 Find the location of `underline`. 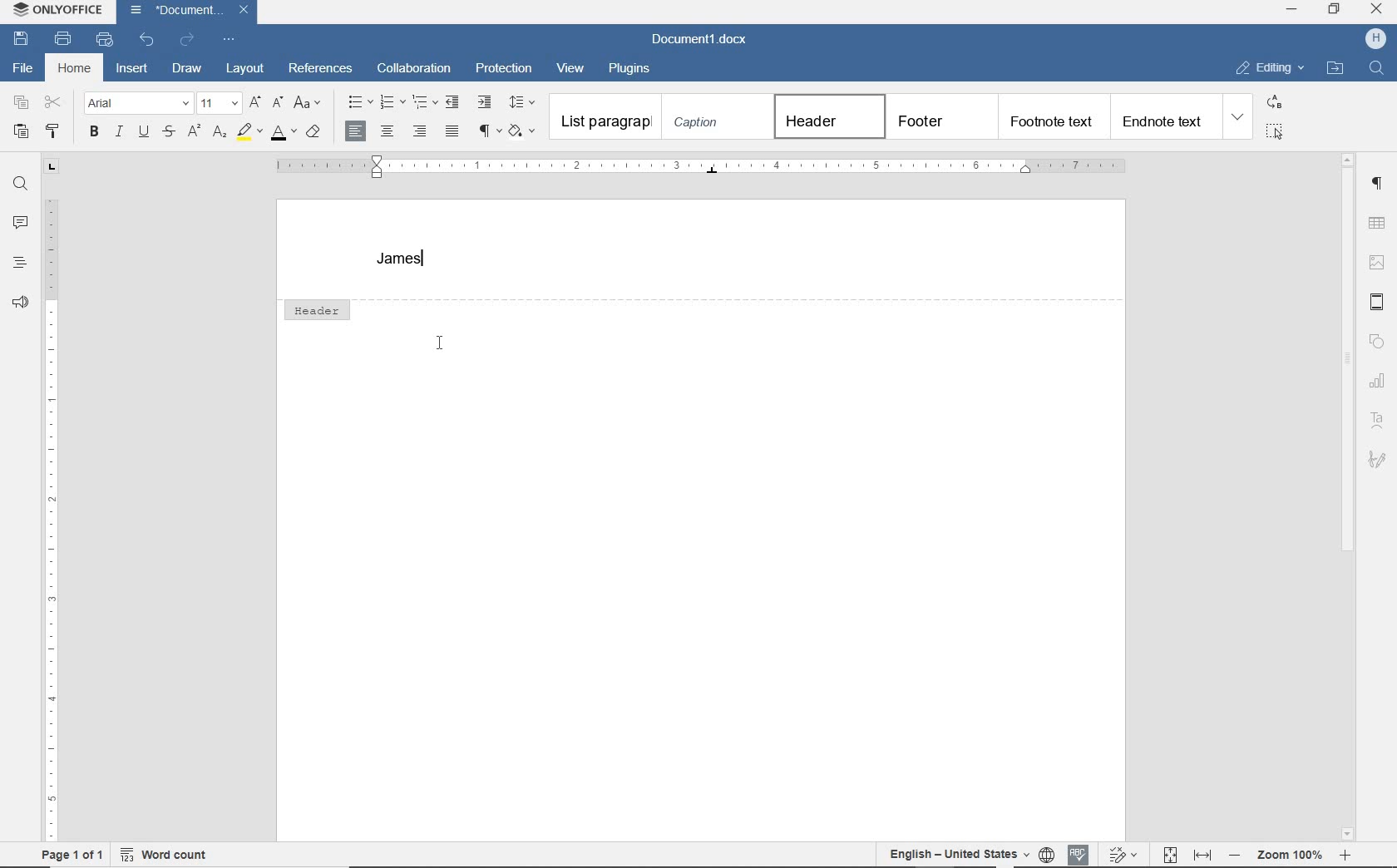

underline is located at coordinates (144, 133).